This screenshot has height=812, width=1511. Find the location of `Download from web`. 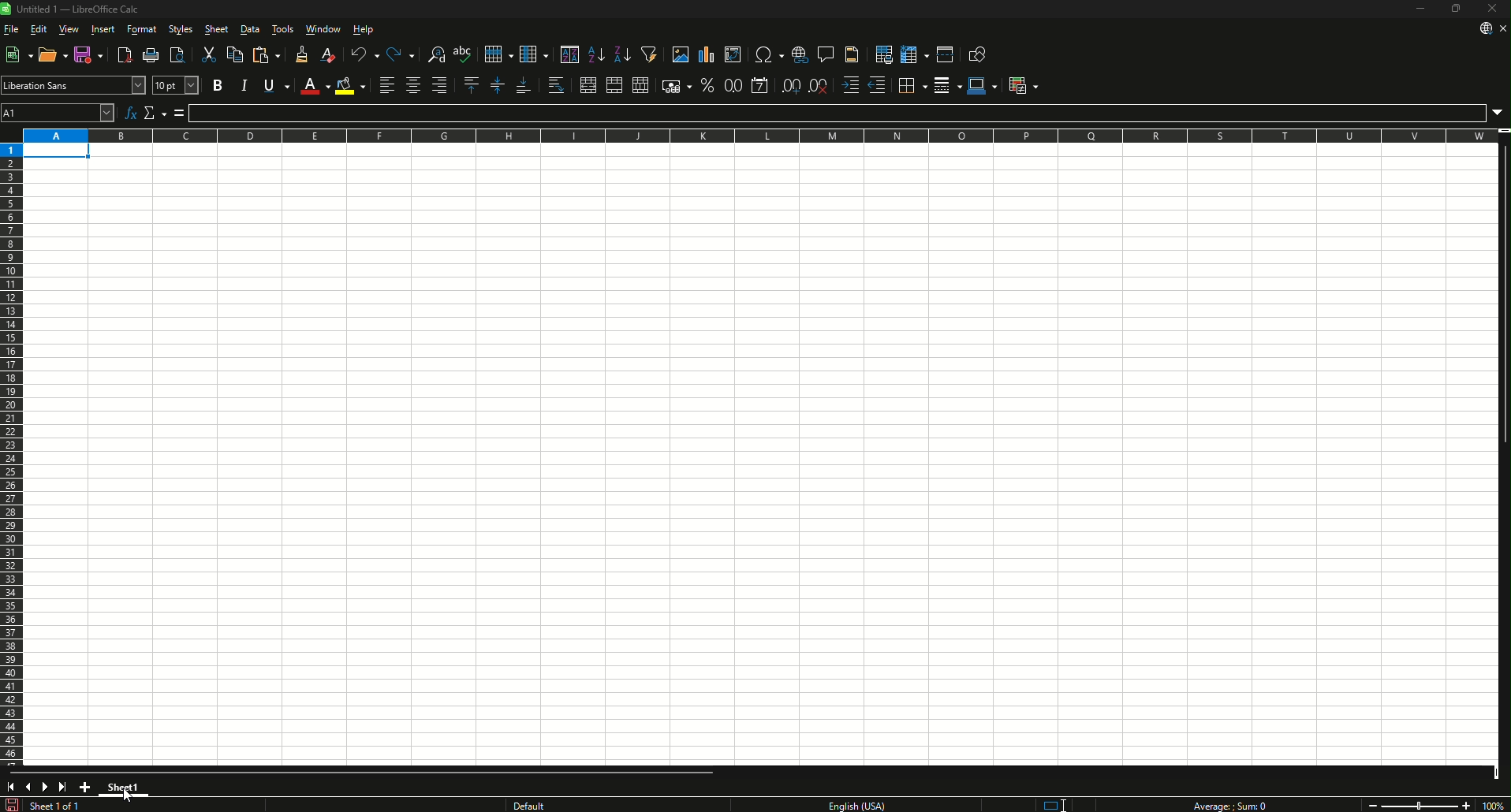

Download from web is located at coordinates (1485, 28).